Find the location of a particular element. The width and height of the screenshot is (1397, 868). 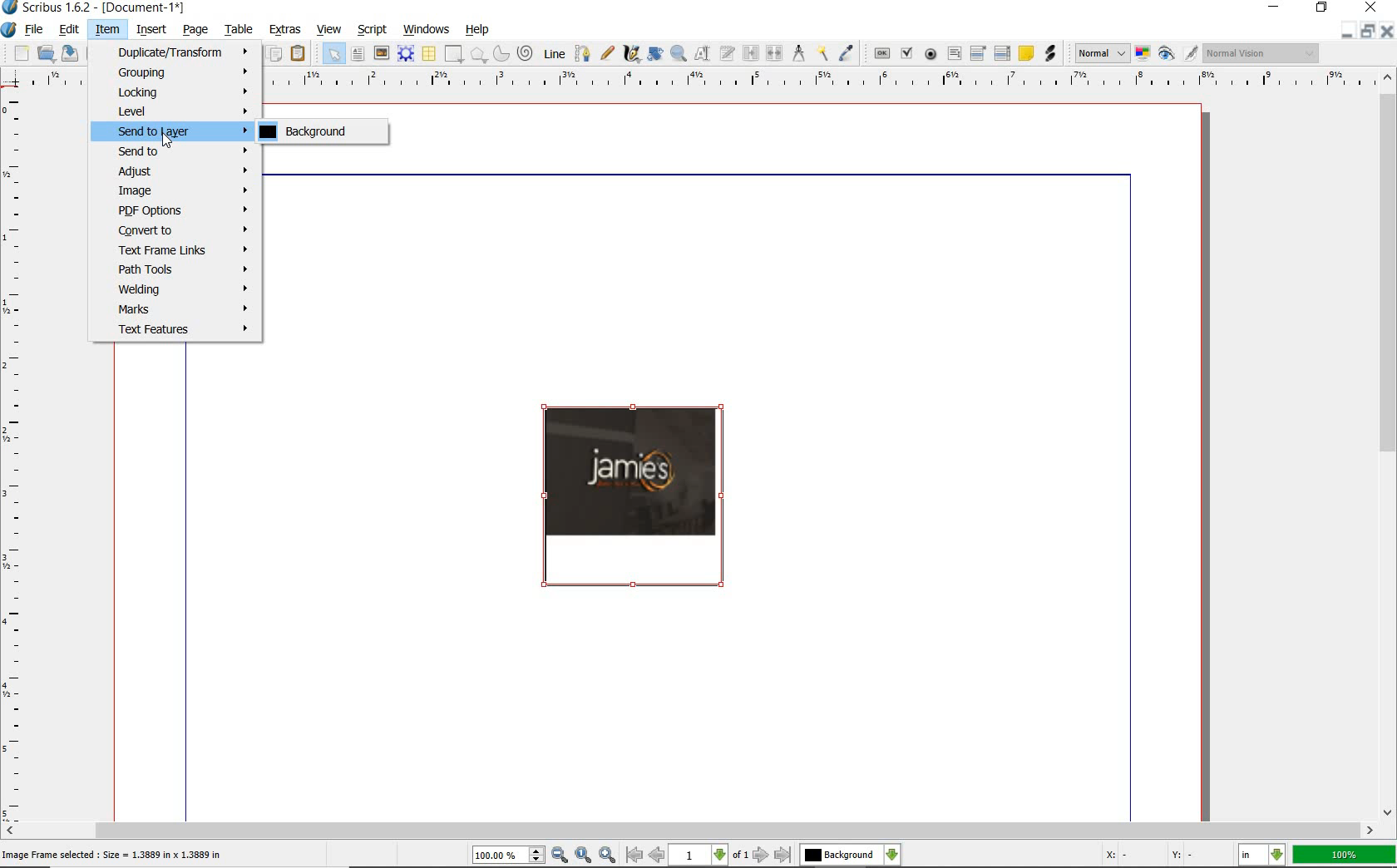

pdf push button is located at coordinates (881, 55).